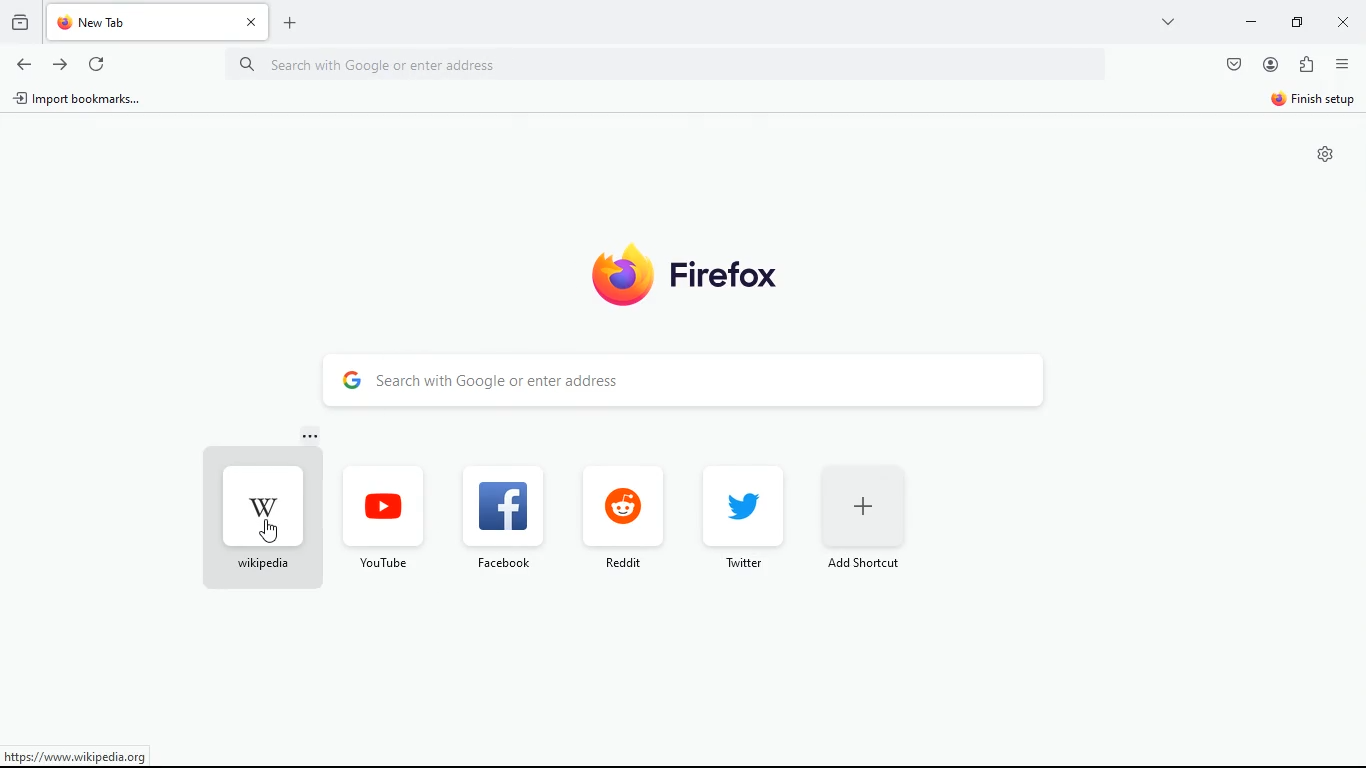 The height and width of the screenshot is (768, 1366). I want to click on youtube, so click(386, 561).